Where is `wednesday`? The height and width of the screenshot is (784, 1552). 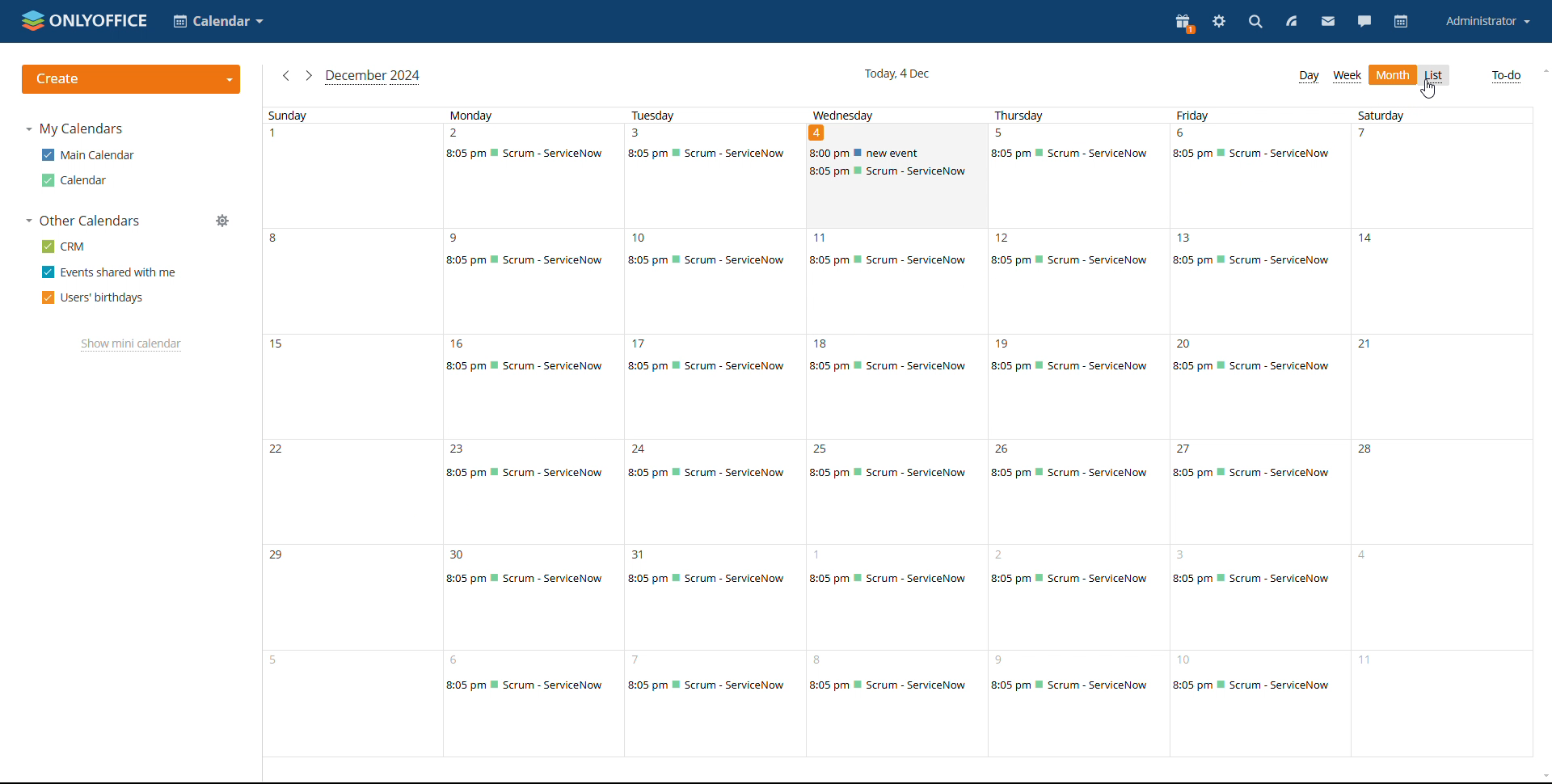 wednesday is located at coordinates (885, 112).